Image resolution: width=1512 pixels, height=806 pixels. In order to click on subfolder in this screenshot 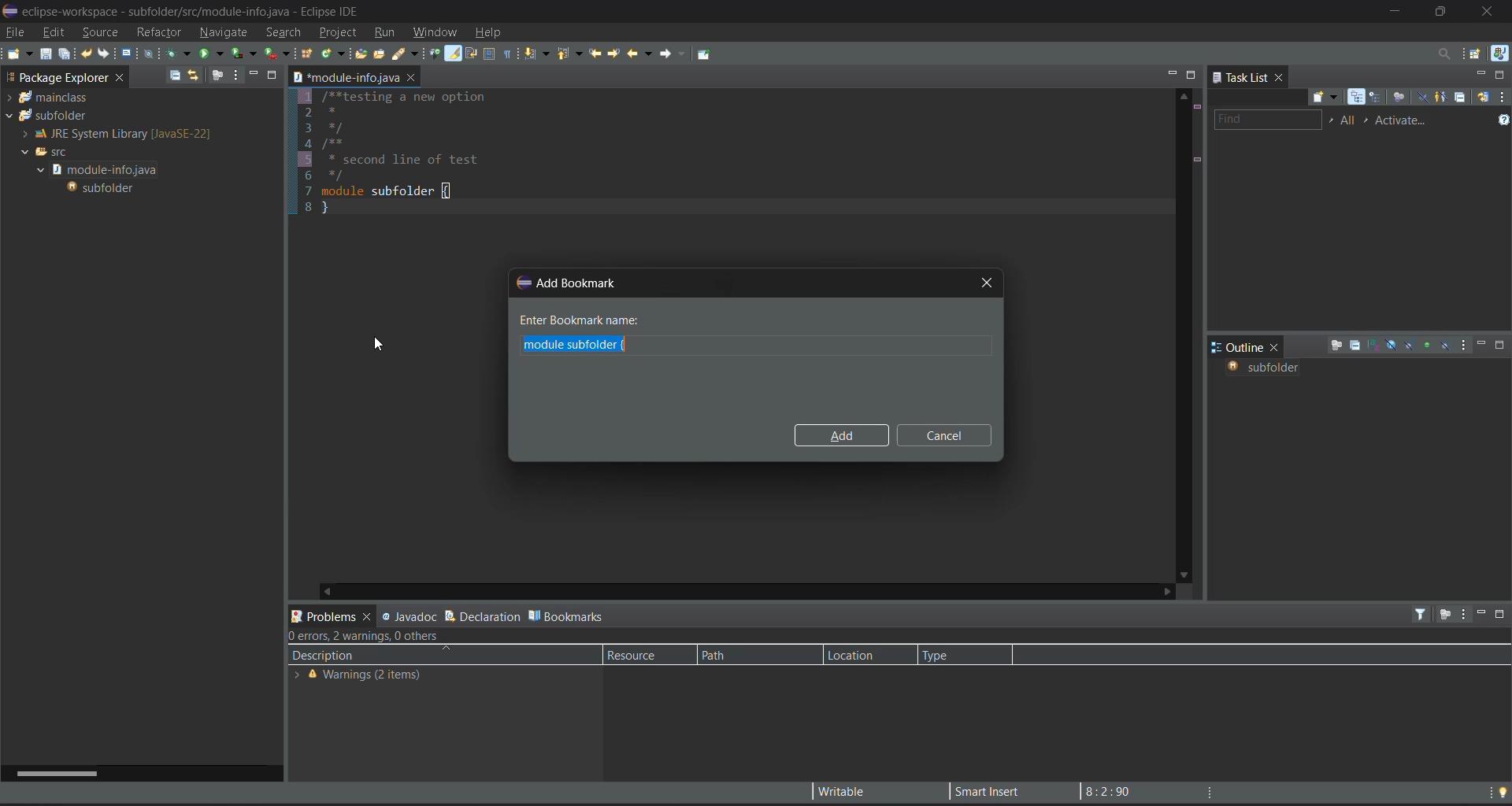, I will do `click(104, 188)`.